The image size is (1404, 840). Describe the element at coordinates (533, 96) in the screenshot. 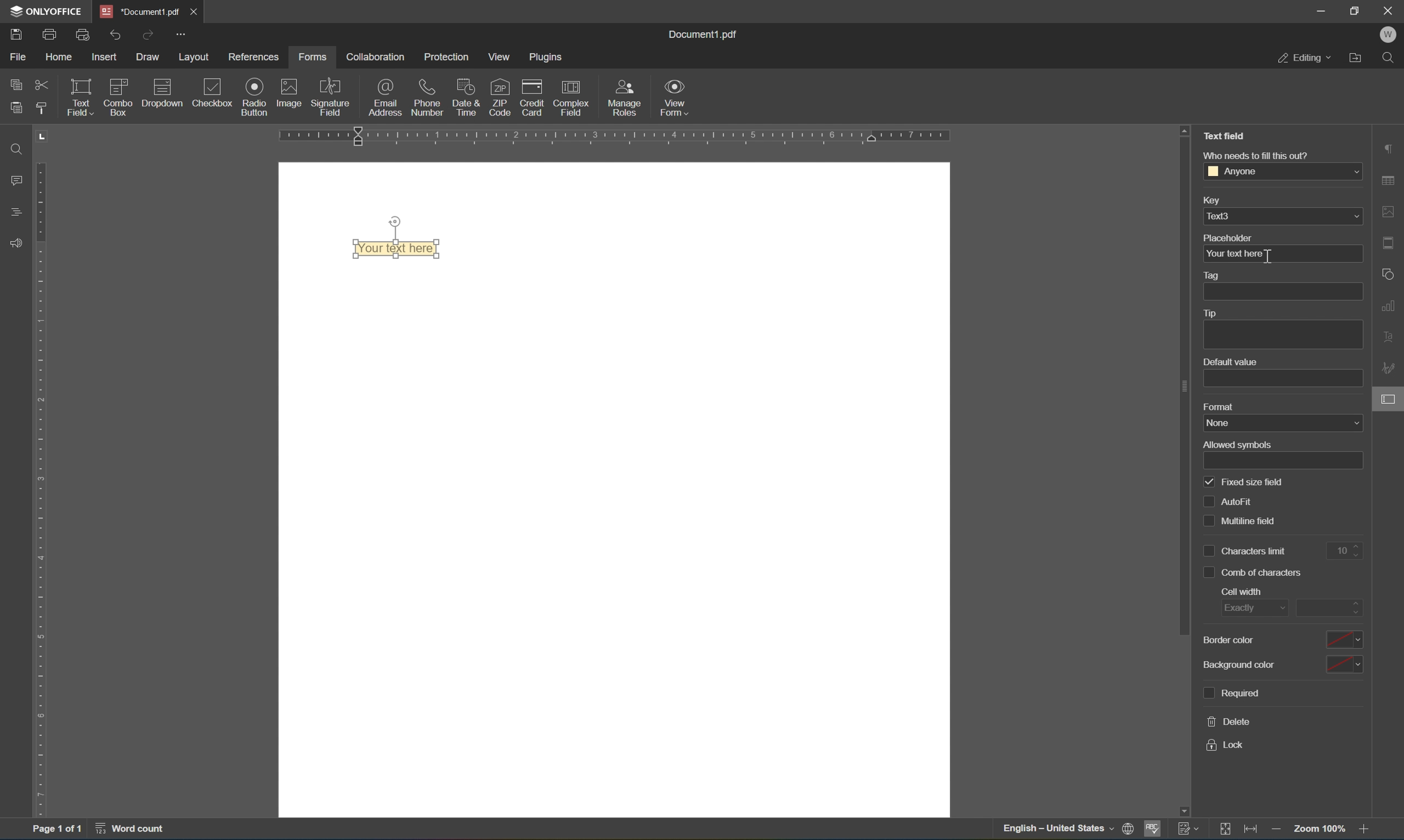

I see `credit card` at that location.